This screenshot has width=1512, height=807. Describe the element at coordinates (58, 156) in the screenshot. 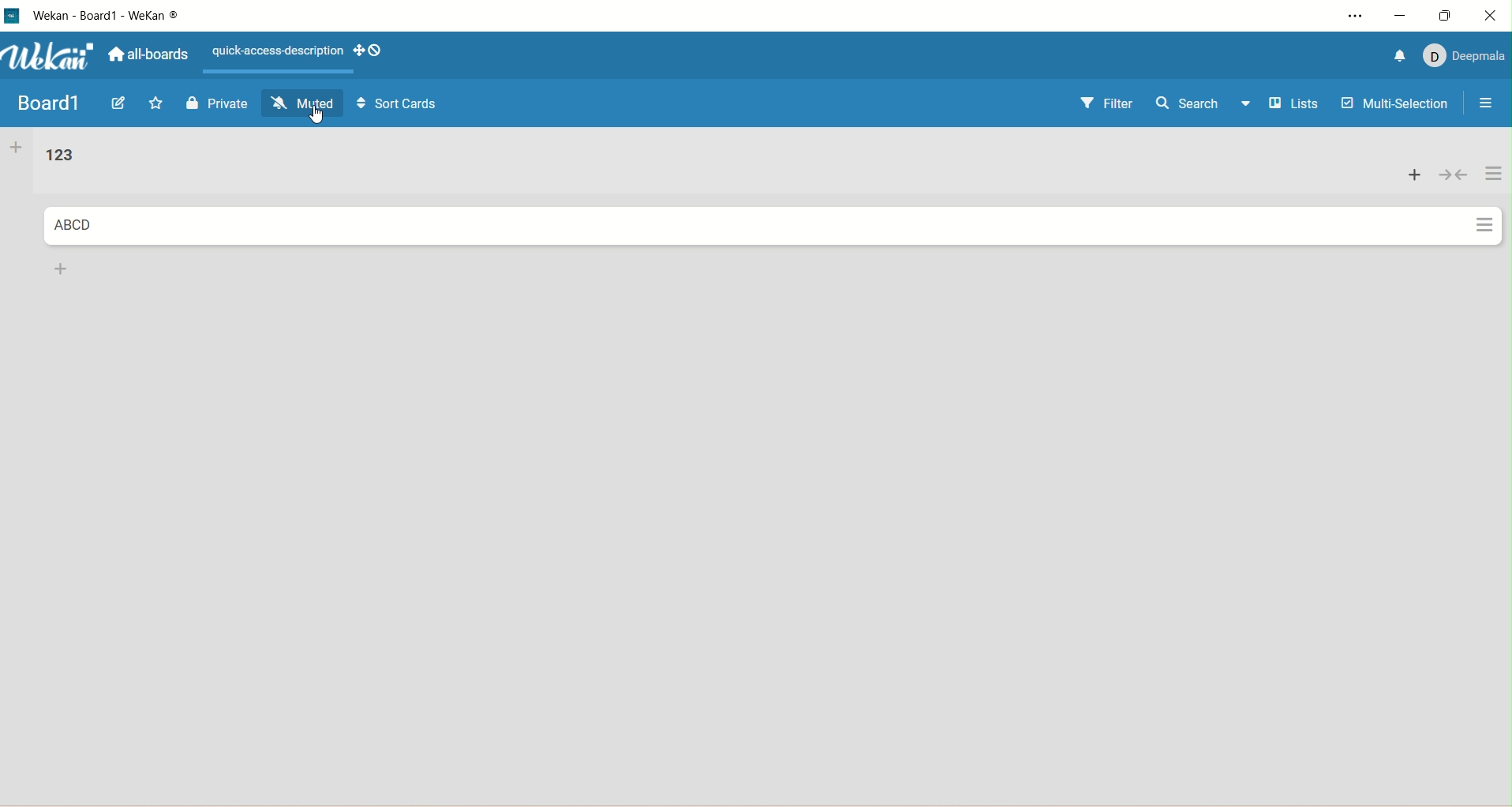

I see `list title` at that location.